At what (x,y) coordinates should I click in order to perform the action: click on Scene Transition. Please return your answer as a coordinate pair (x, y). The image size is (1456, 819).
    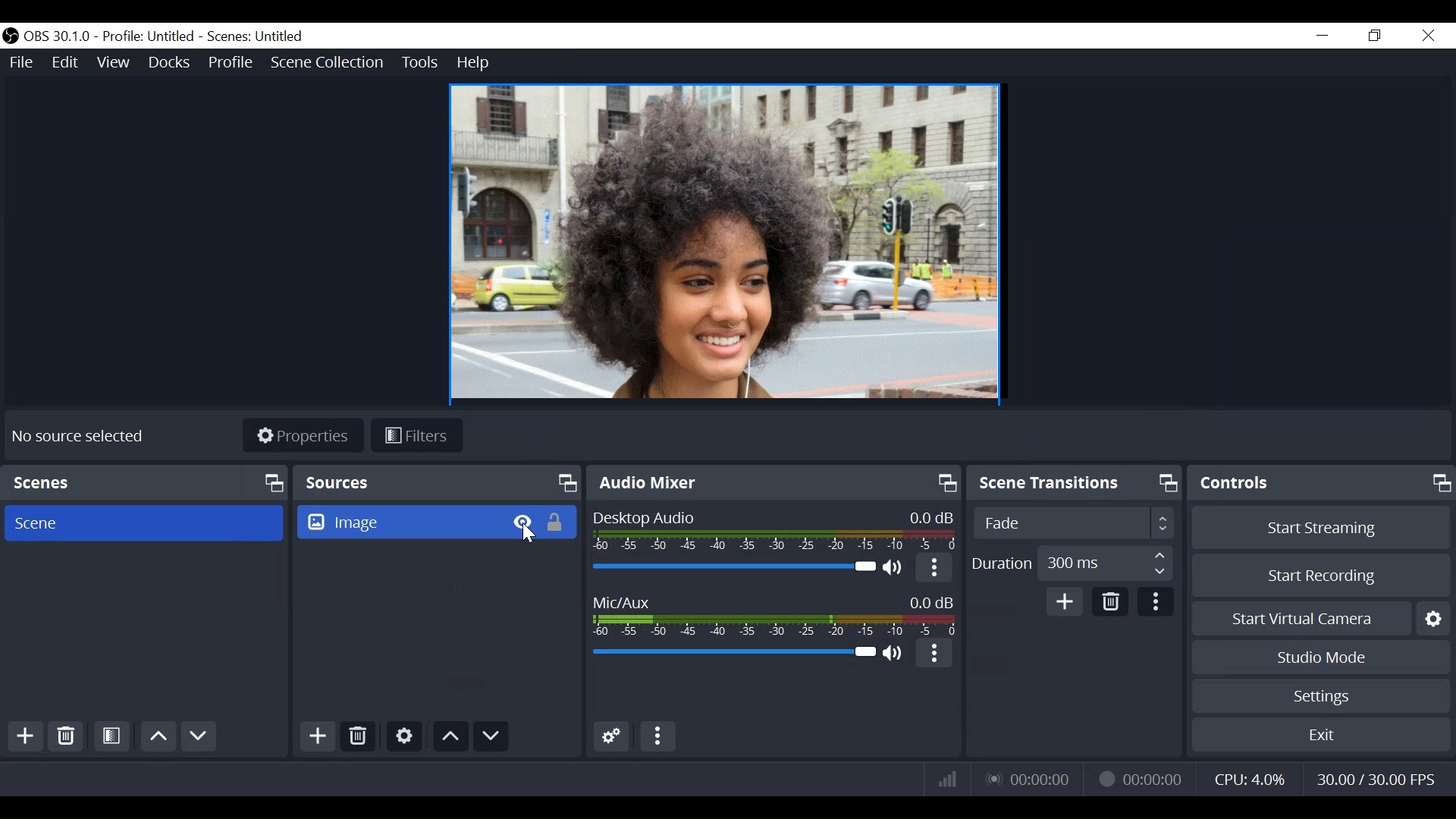
    Looking at the image, I should click on (1075, 483).